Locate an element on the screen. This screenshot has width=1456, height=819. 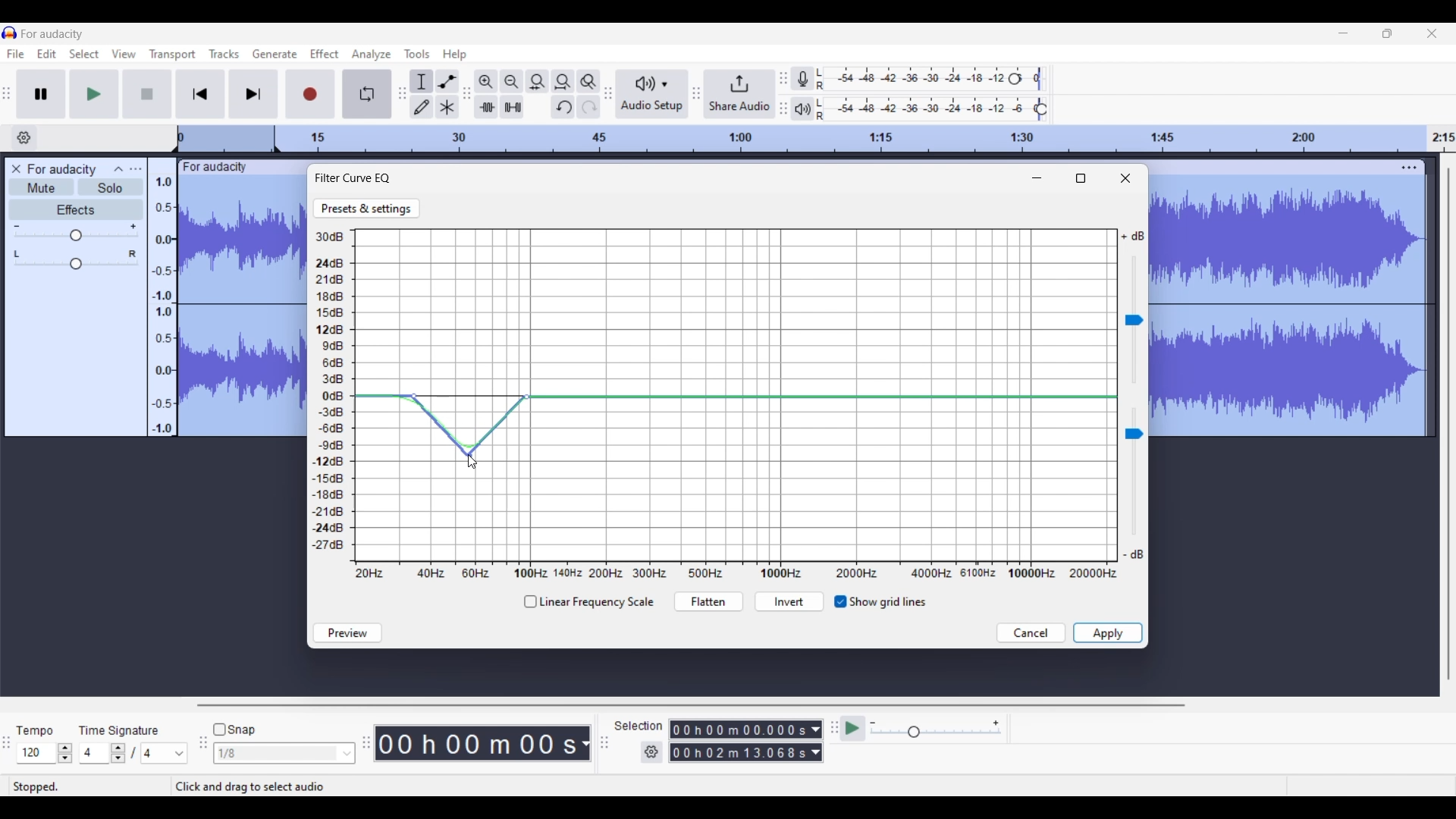
Stop is located at coordinates (147, 93).